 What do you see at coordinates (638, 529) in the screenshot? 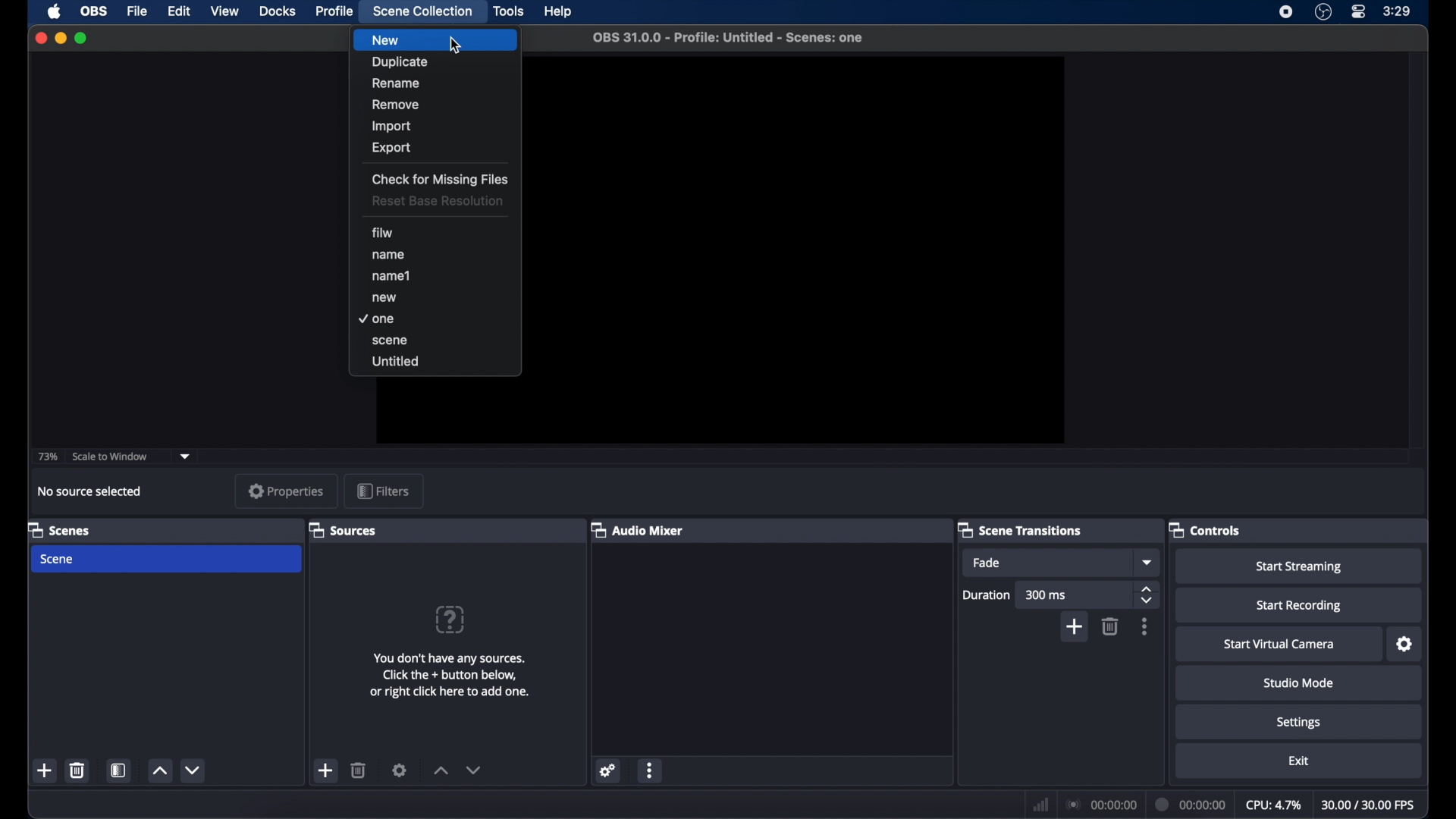
I see `audio mixer` at bounding box center [638, 529].